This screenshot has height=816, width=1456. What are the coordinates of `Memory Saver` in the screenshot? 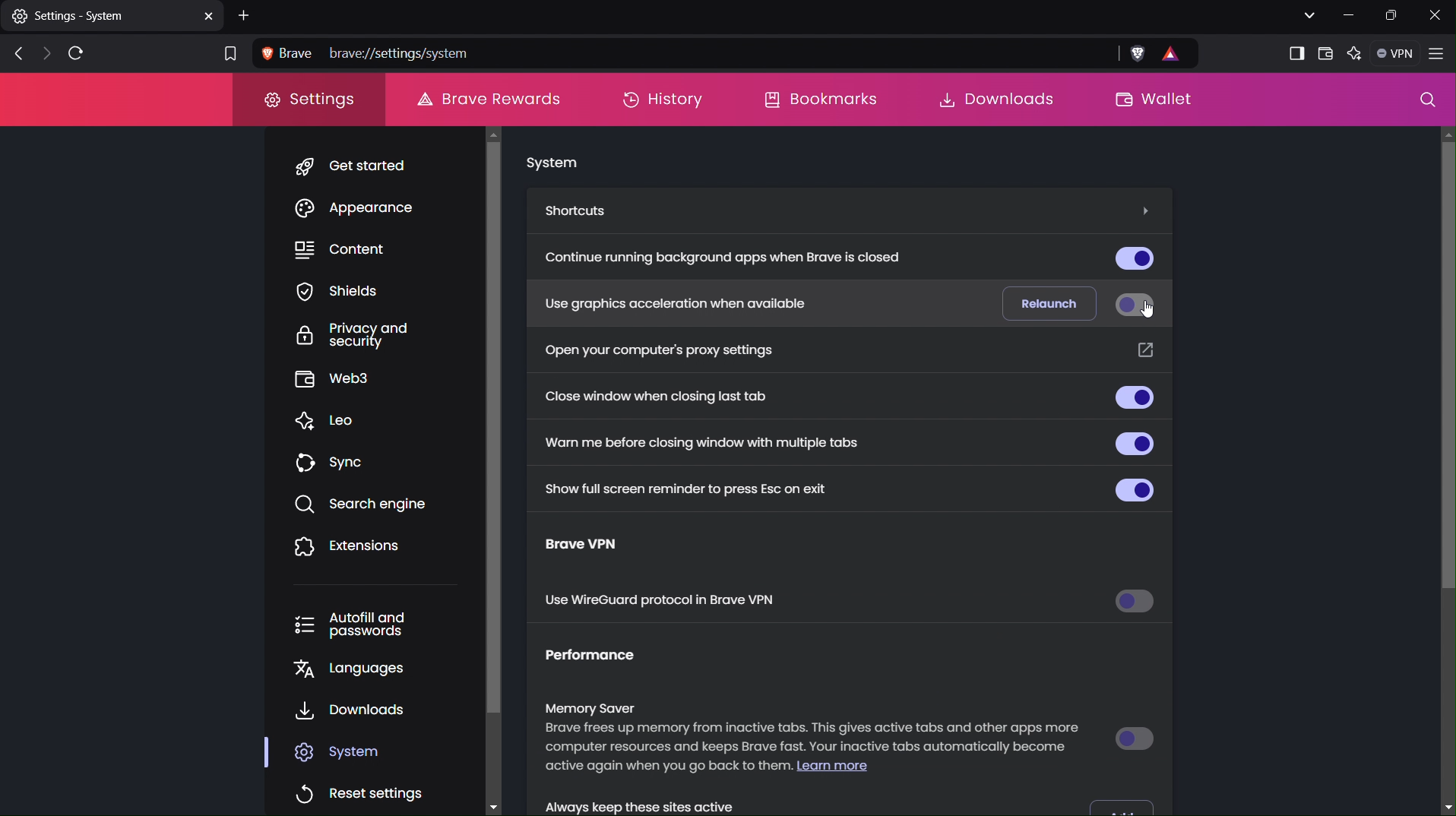 It's located at (815, 742).